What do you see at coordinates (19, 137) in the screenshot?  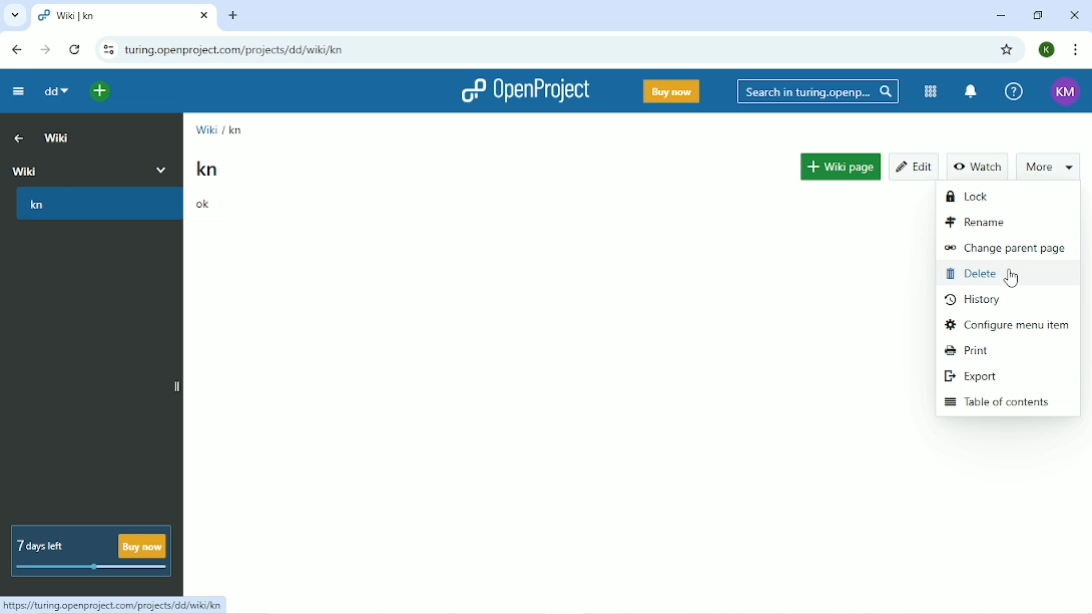 I see `Up` at bounding box center [19, 137].